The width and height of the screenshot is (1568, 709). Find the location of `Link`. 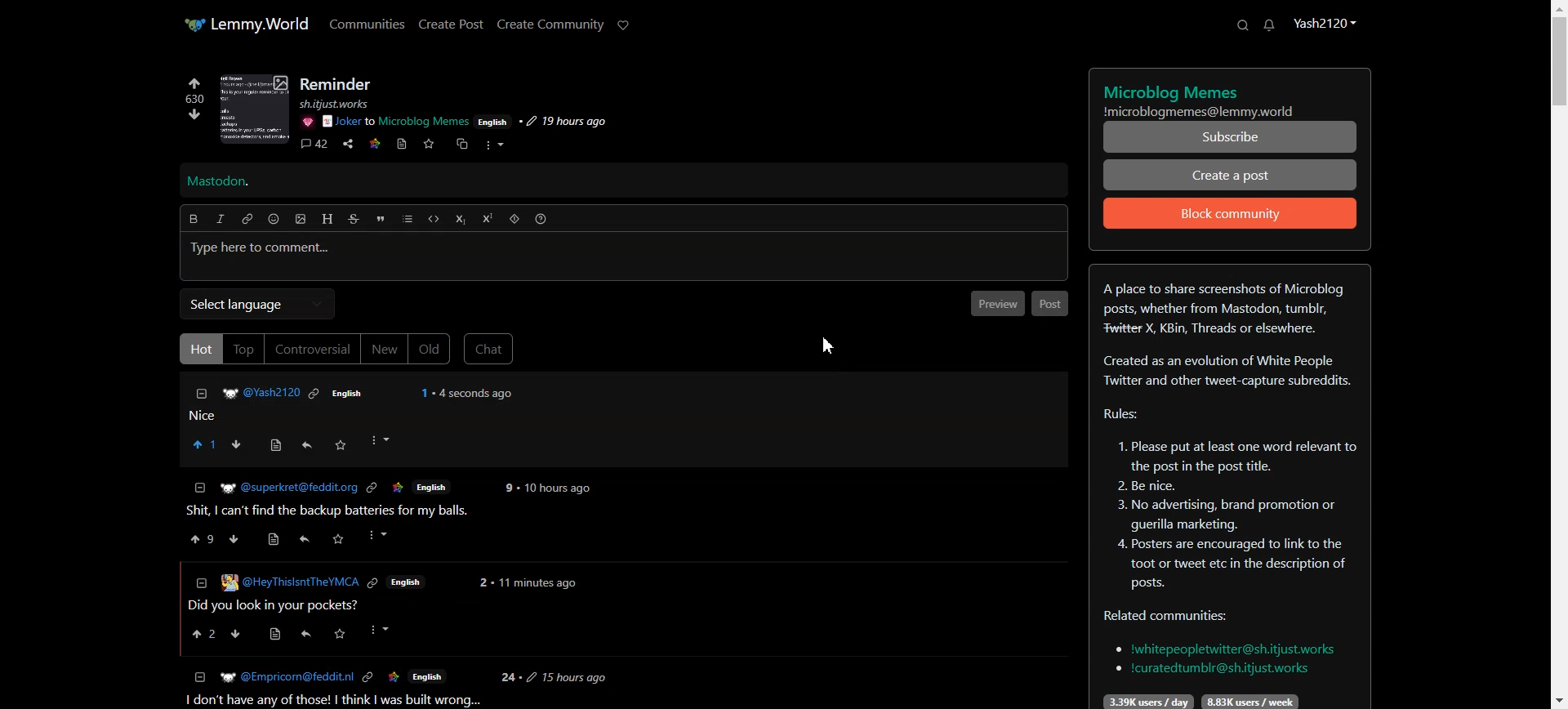

Link is located at coordinates (370, 583).